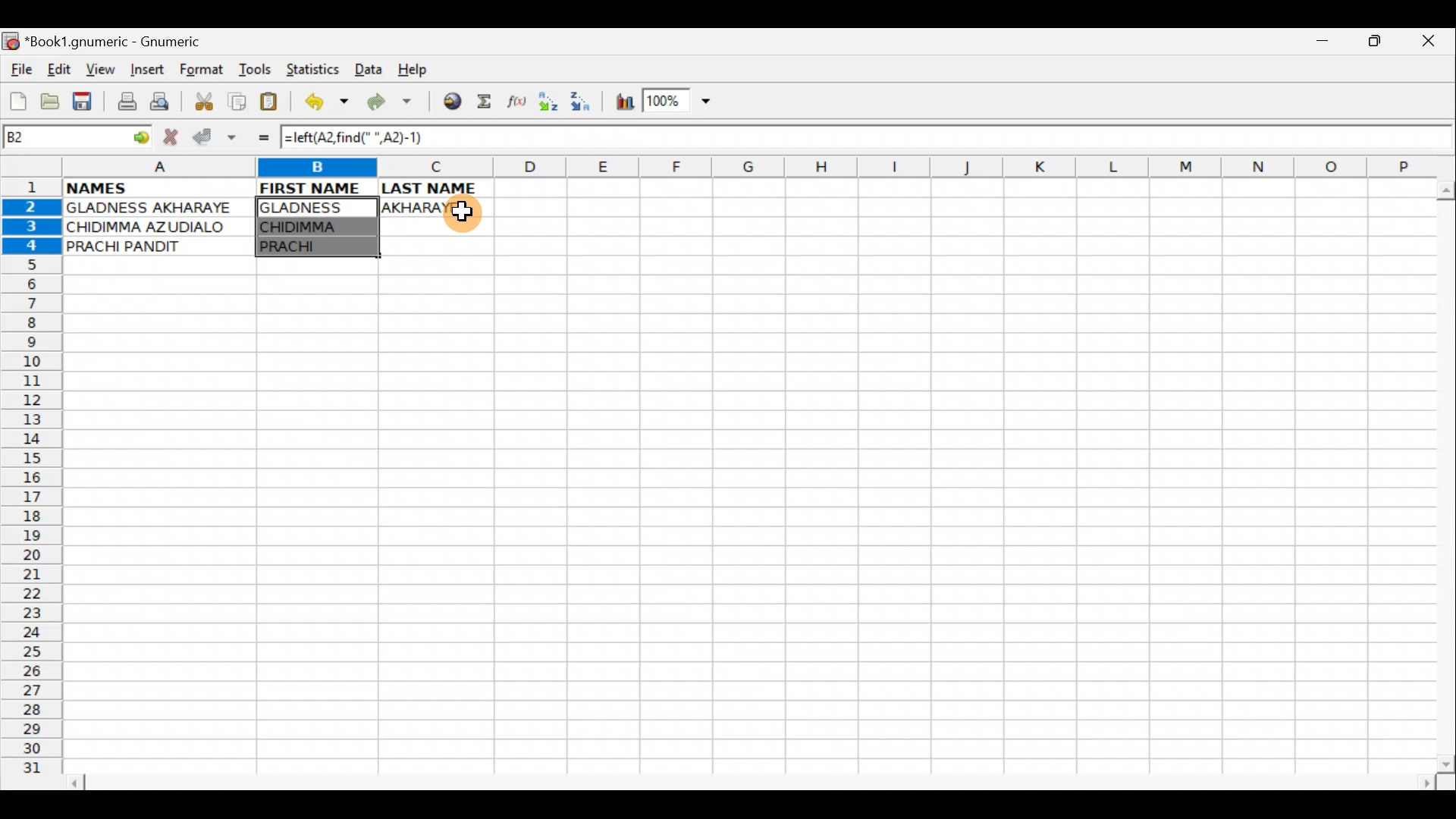  What do you see at coordinates (96, 69) in the screenshot?
I see `View` at bounding box center [96, 69].